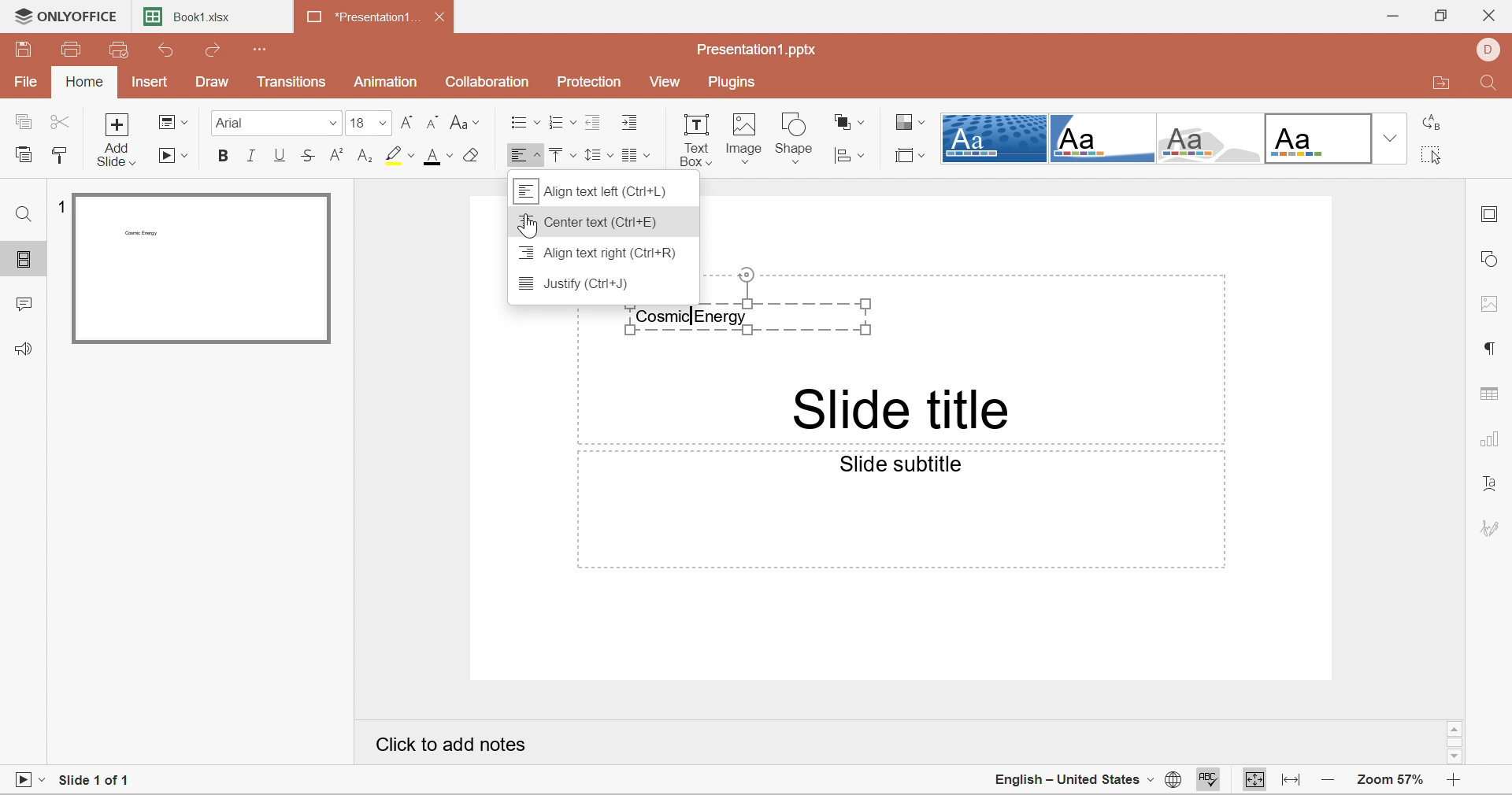 This screenshot has width=1512, height=795. I want to click on Find, so click(20, 213).